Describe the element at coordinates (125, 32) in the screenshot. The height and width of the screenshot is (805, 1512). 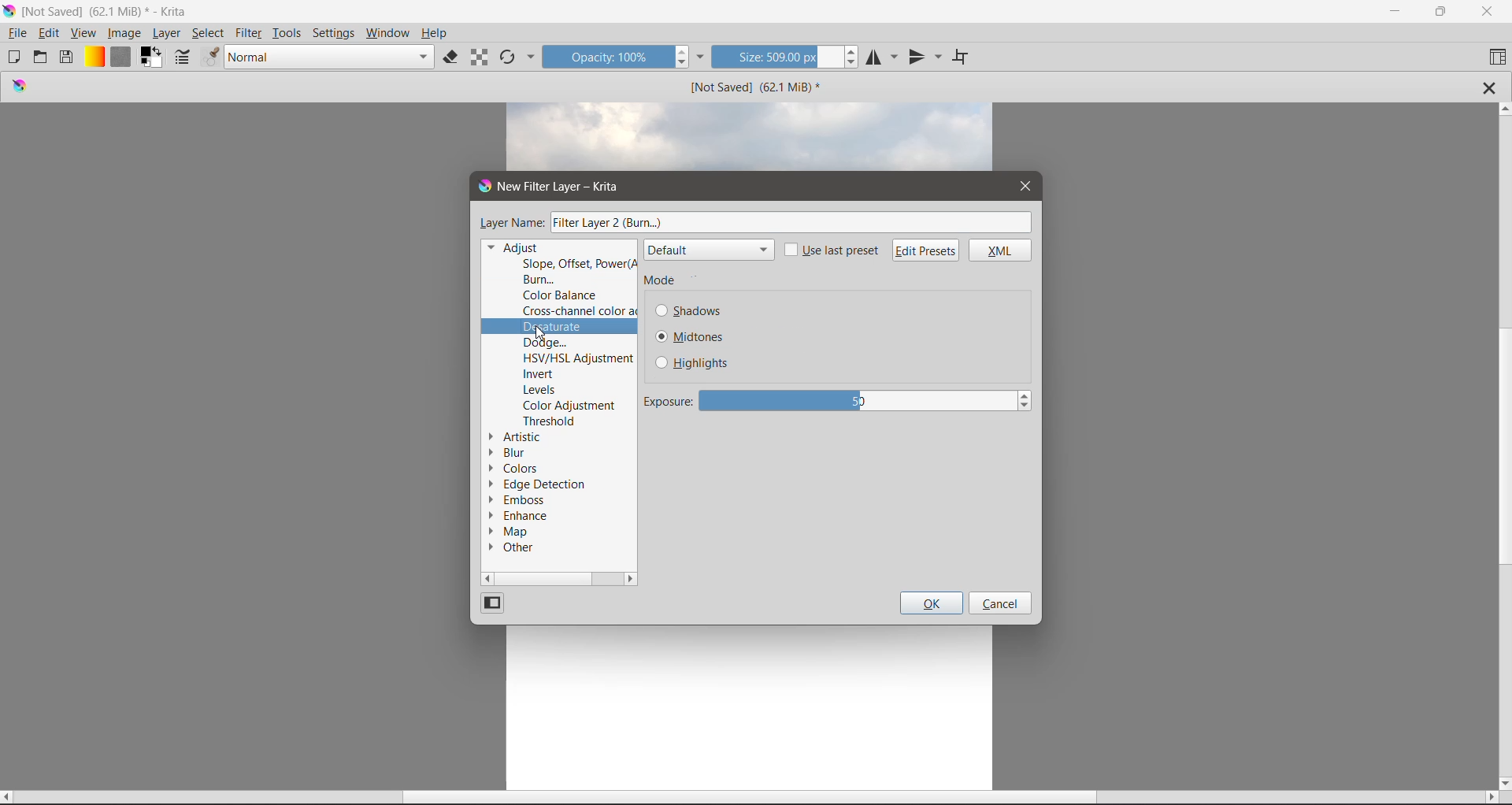
I see `Image` at that location.